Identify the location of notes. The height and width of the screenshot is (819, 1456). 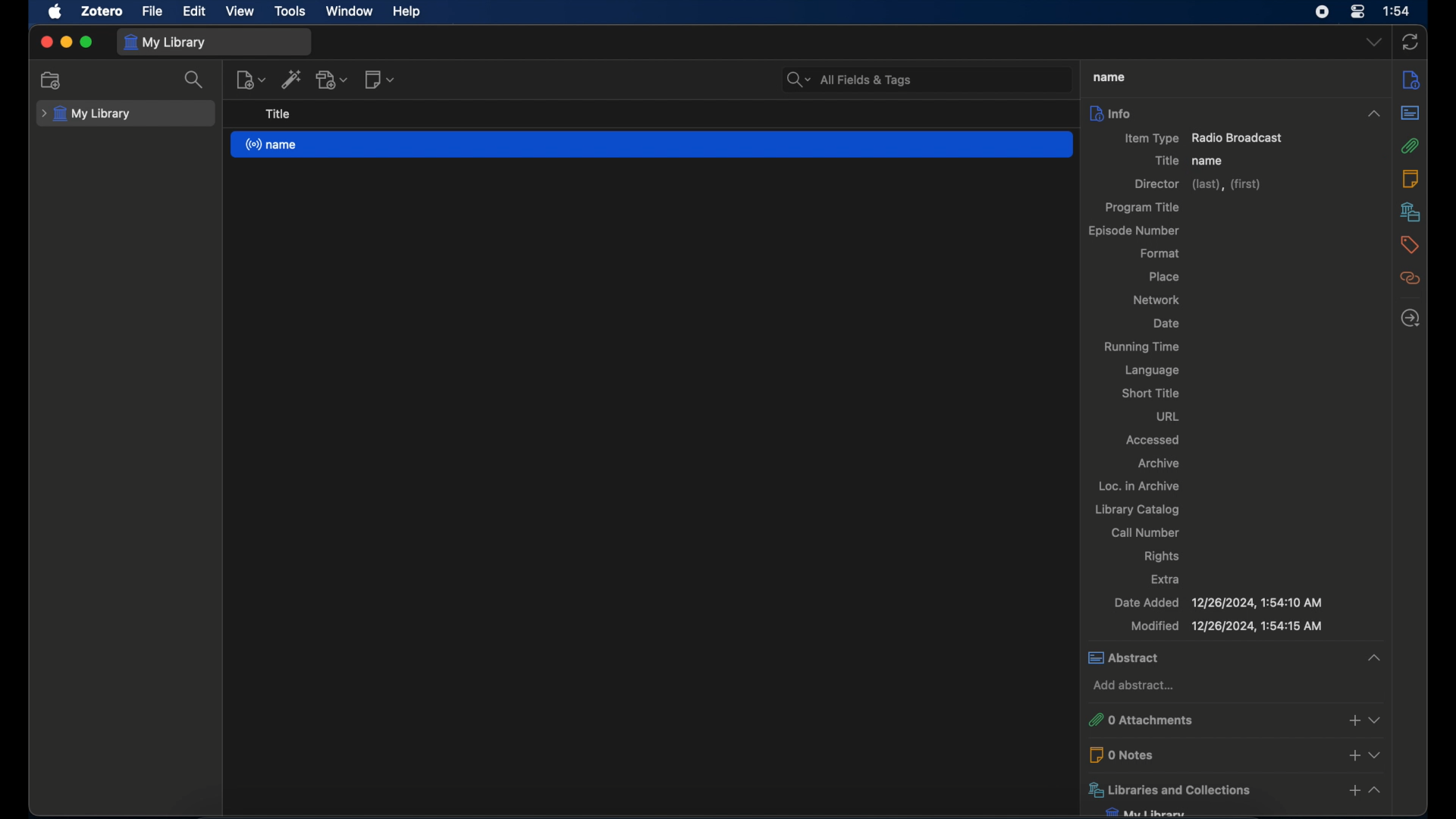
(1411, 177).